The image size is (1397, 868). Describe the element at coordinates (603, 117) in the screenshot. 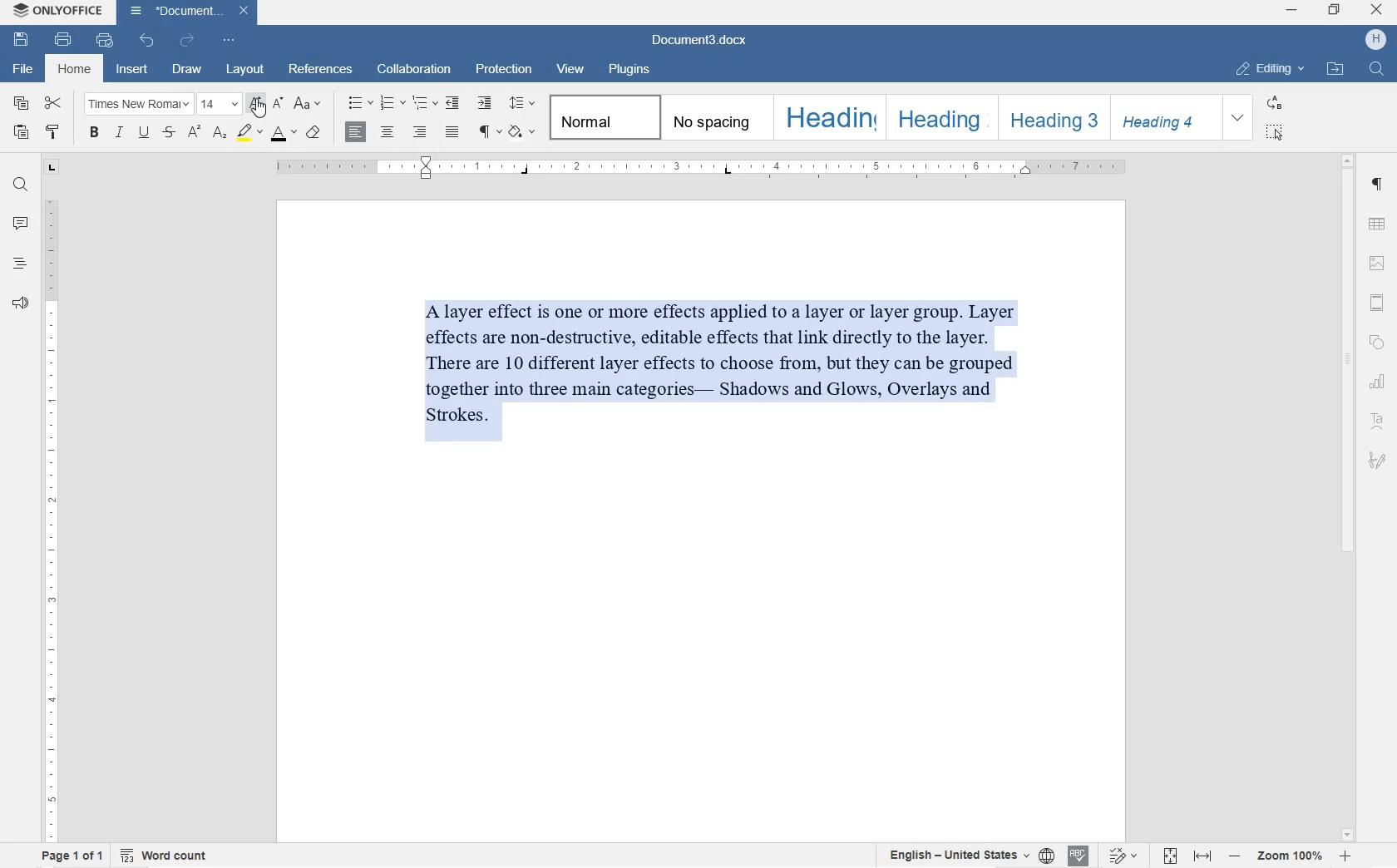

I see `NORMAL` at that location.